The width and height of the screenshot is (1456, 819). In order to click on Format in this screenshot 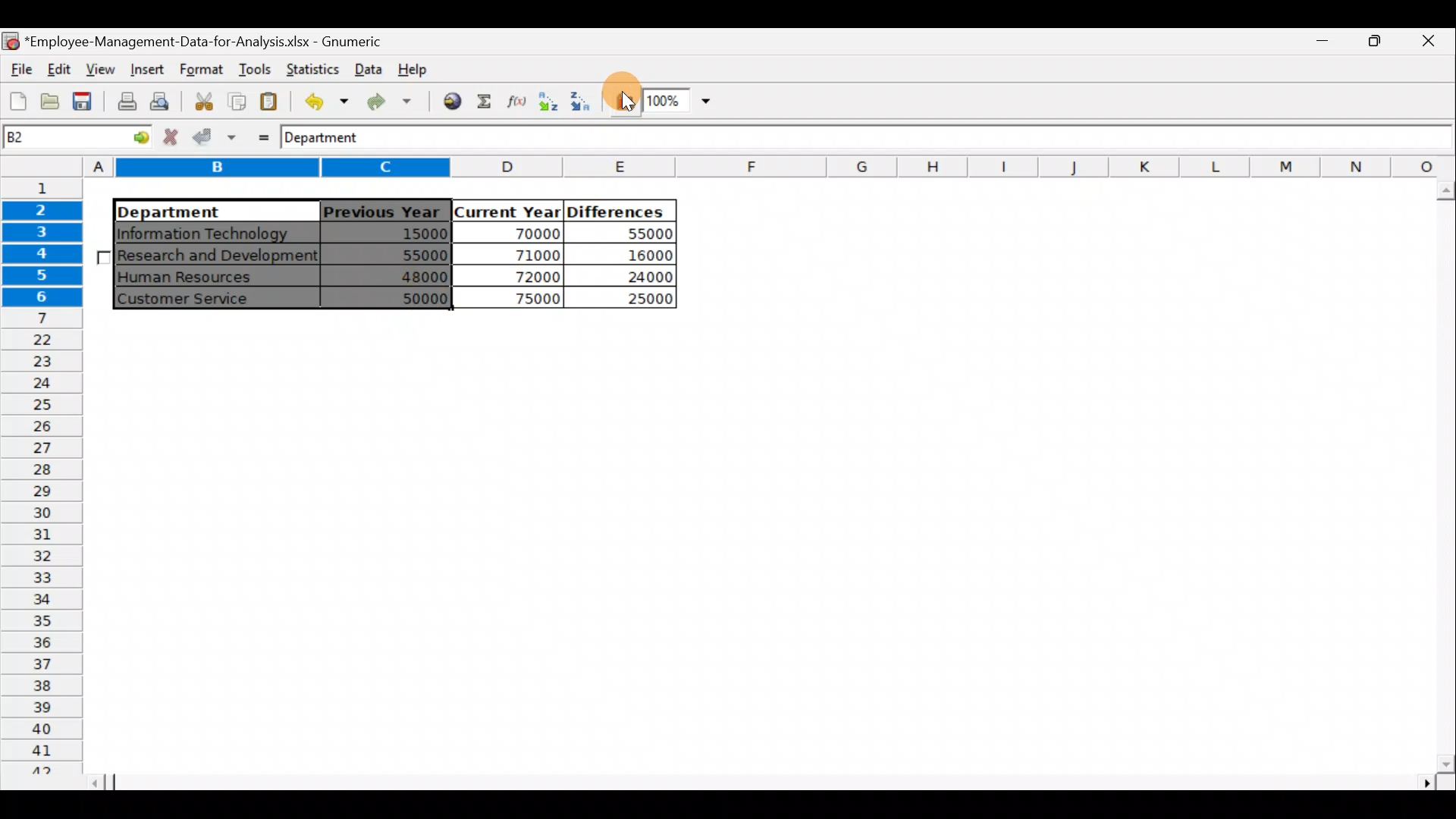, I will do `click(199, 70)`.